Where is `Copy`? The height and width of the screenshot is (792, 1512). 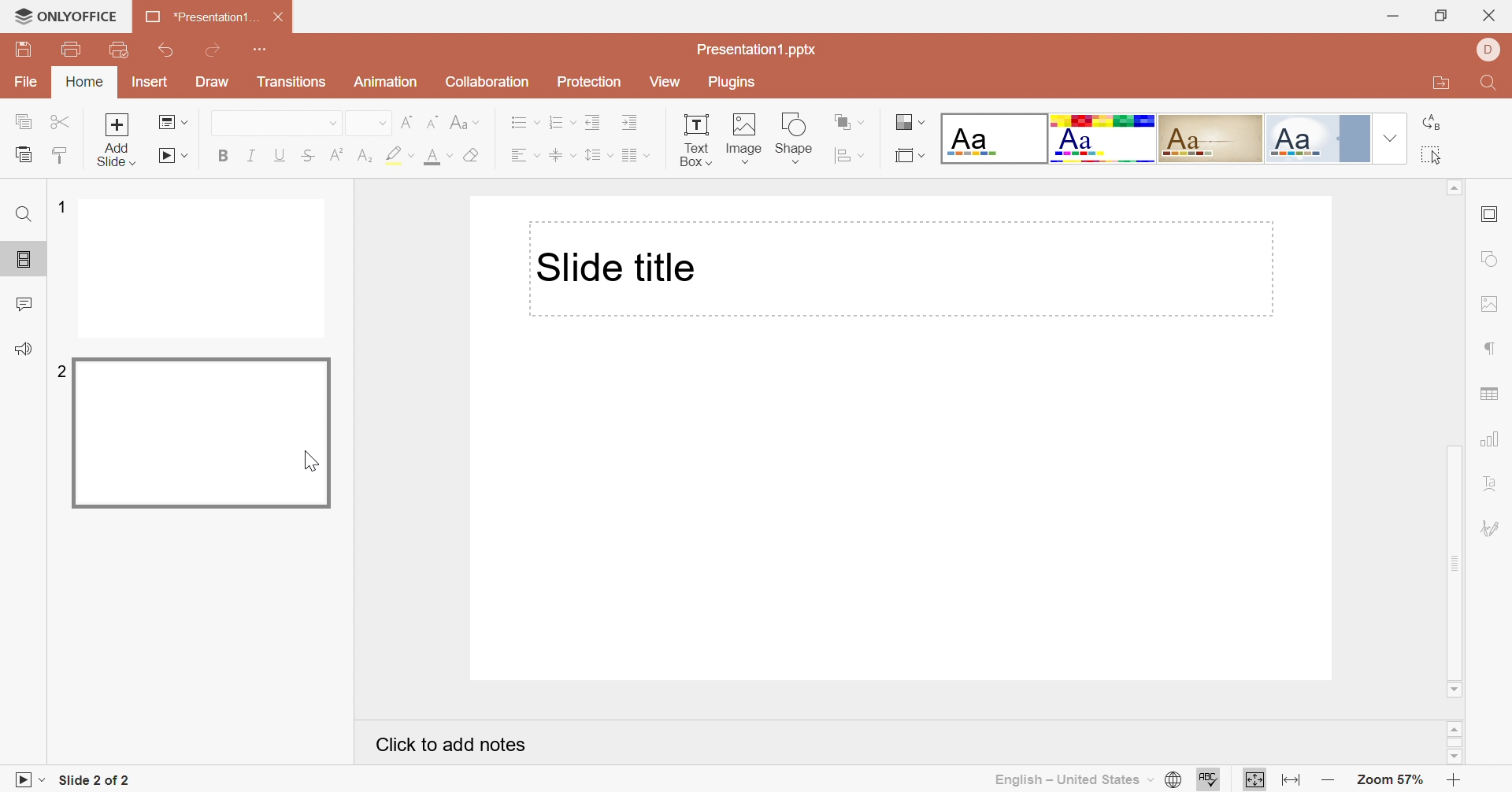
Copy is located at coordinates (23, 120).